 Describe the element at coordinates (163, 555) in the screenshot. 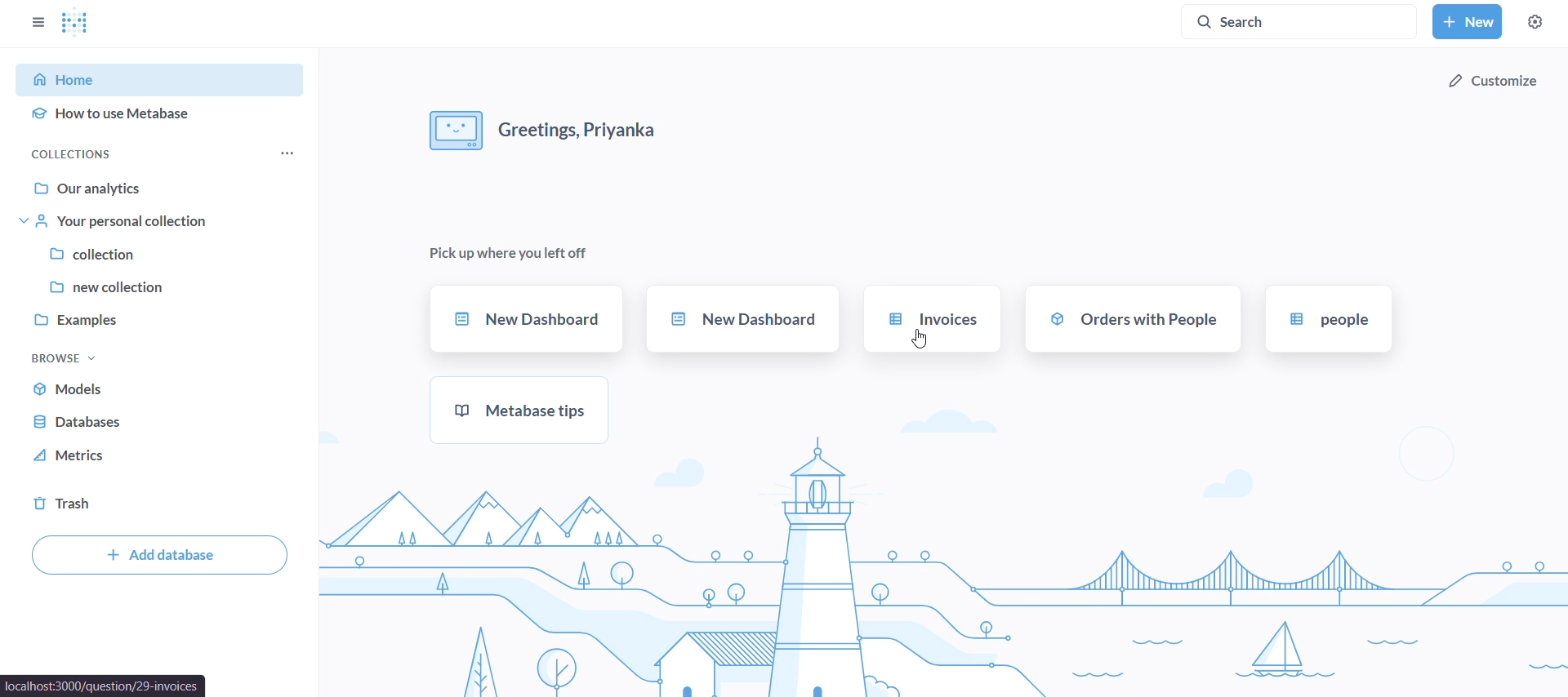

I see `add database` at that location.